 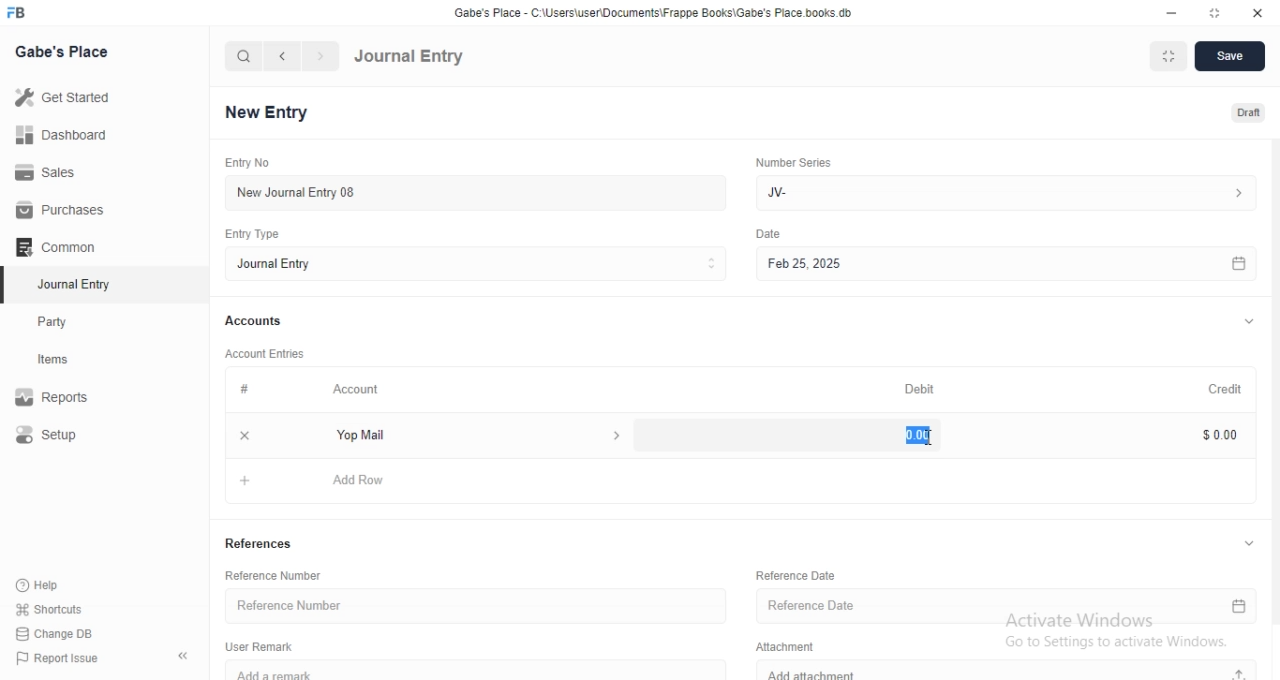 I want to click on expand/collapse, so click(x=1248, y=543).